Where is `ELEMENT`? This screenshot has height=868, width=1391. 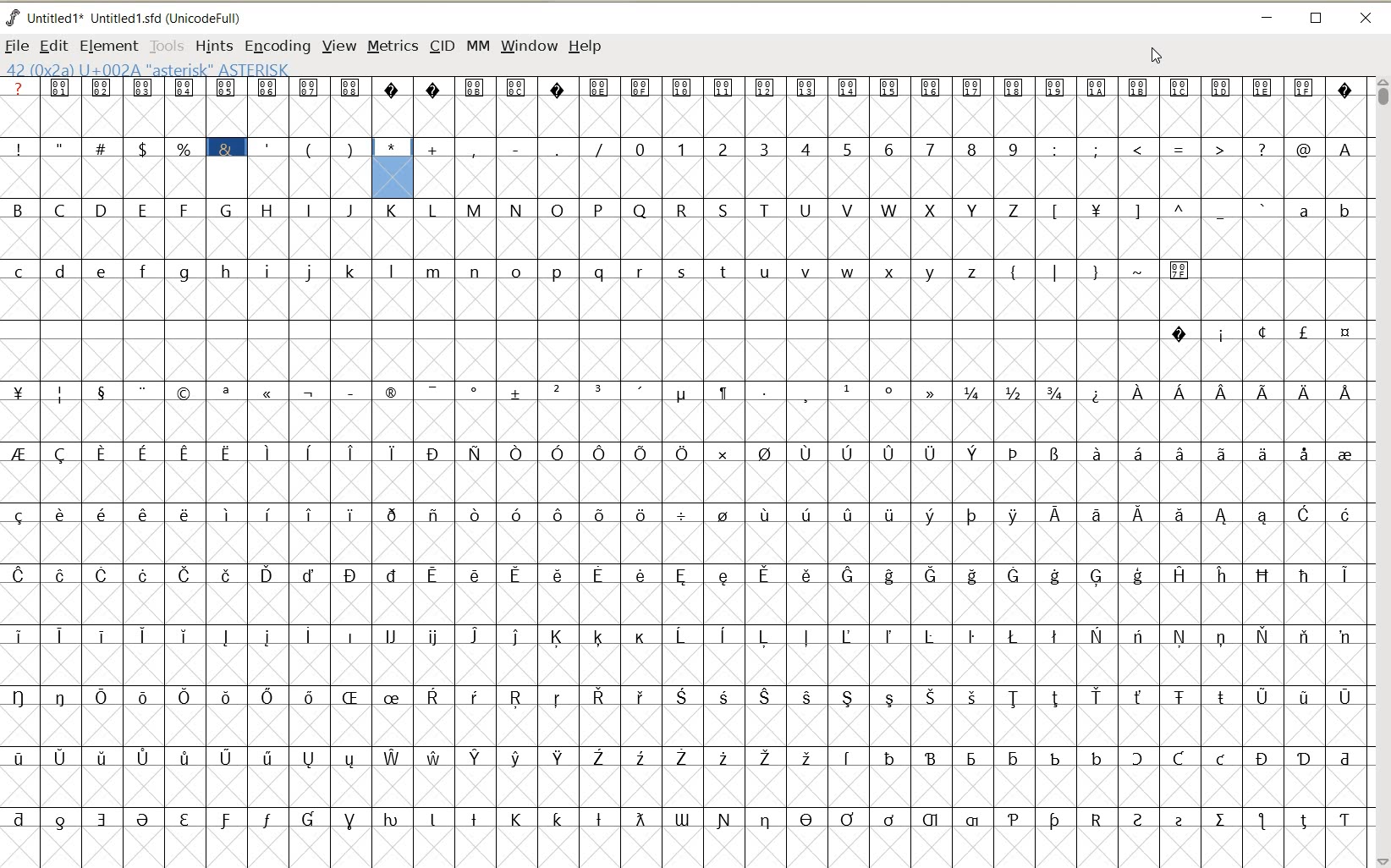
ELEMENT is located at coordinates (109, 46).